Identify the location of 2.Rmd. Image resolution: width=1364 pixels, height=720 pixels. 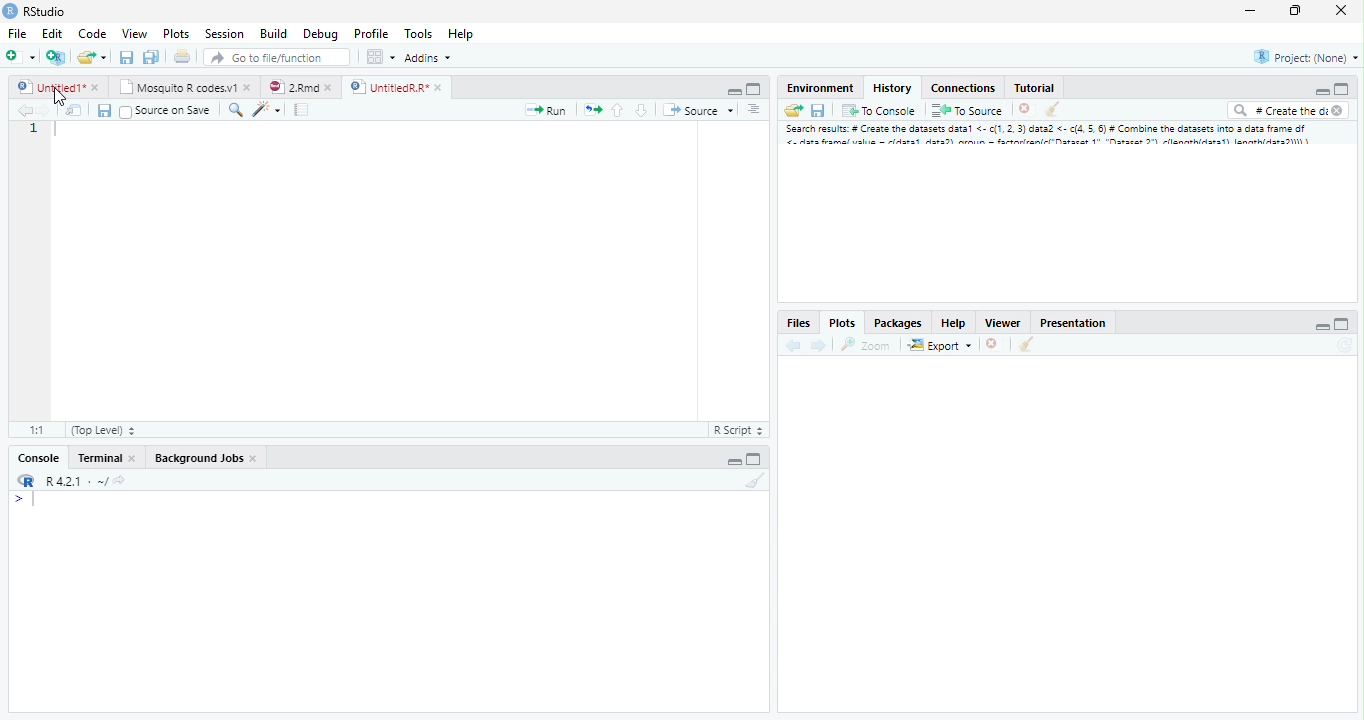
(298, 85).